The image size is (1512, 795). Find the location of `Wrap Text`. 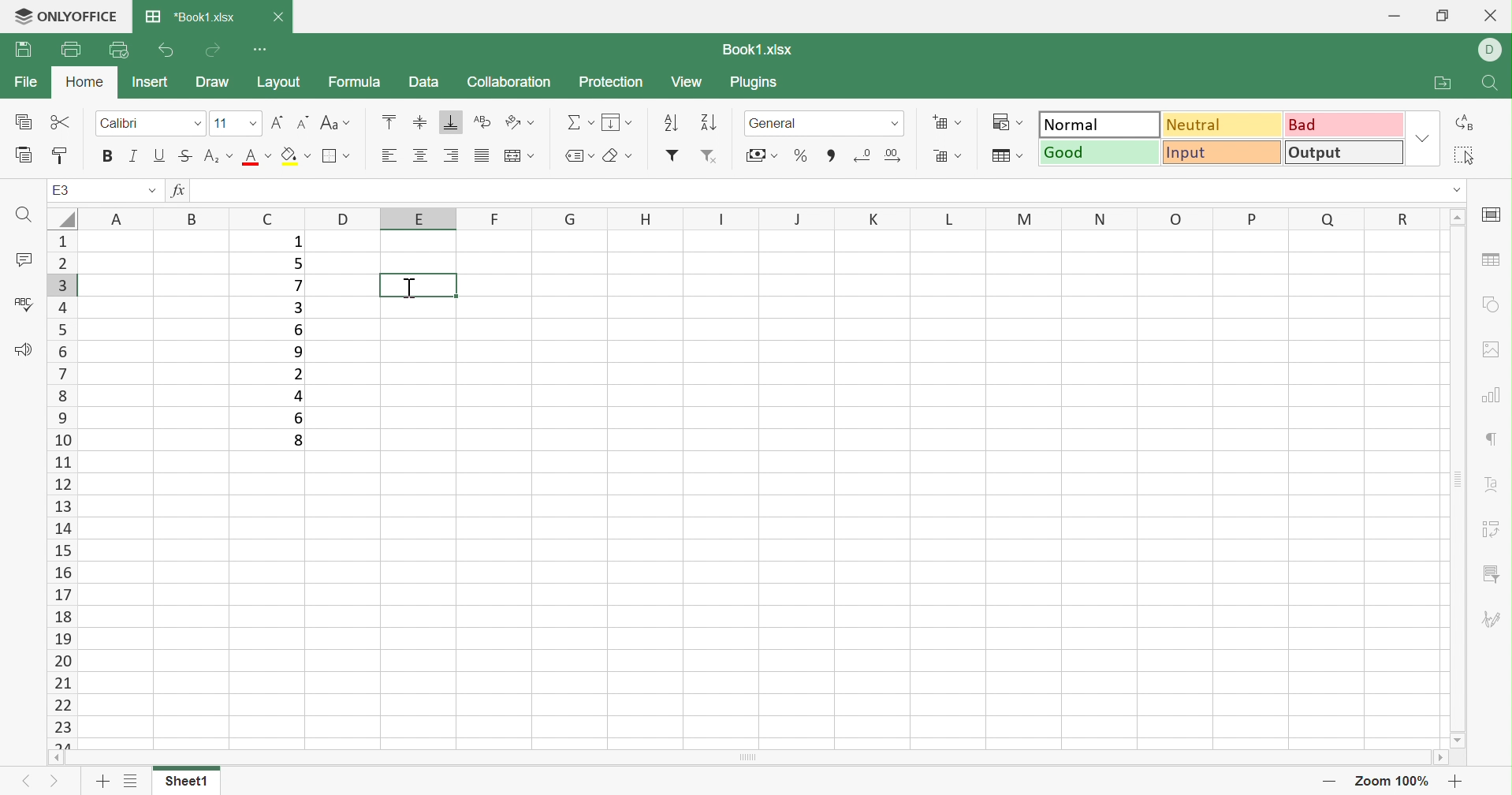

Wrap Text is located at coordinates (482, 122).